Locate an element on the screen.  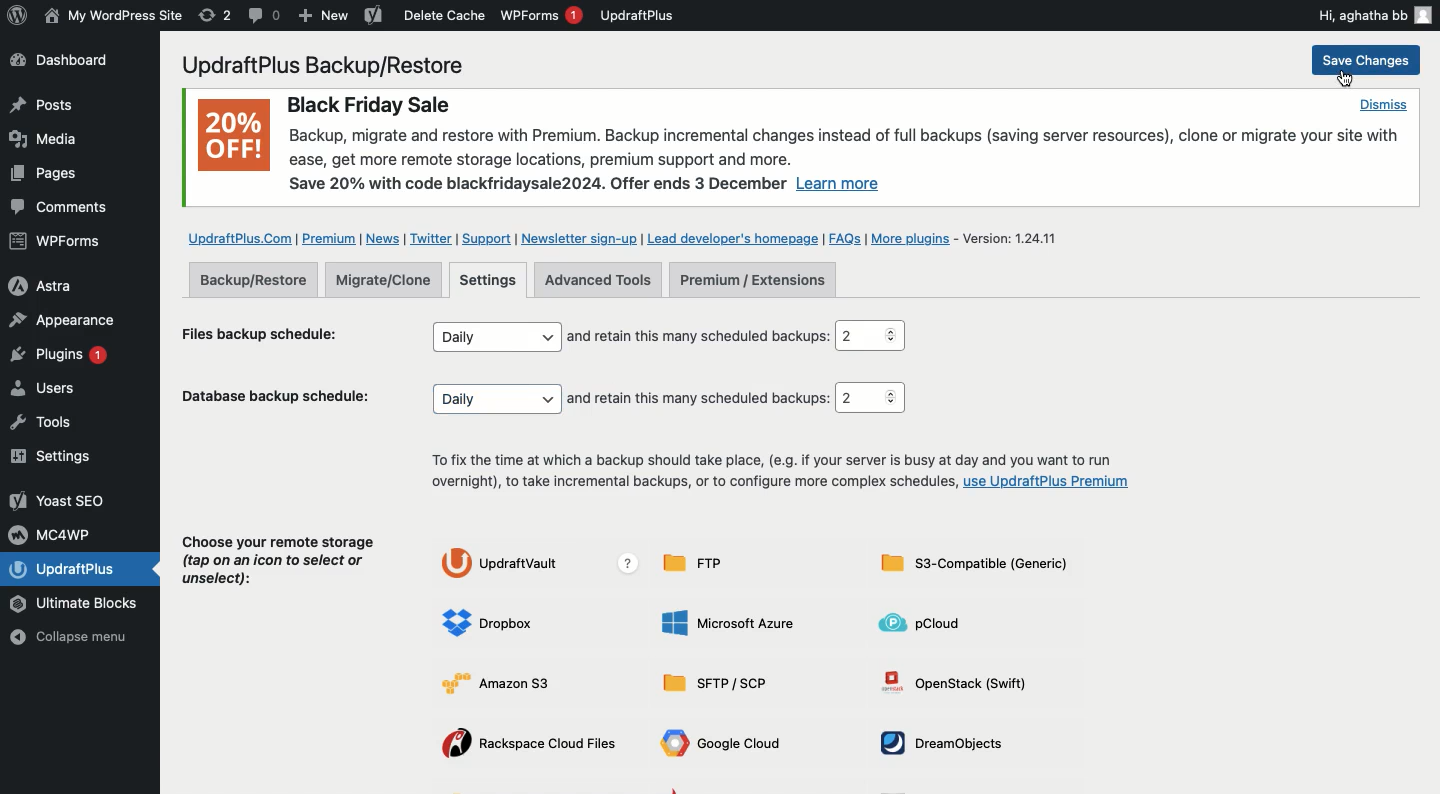
UpdraftVault is located at coordinates (544, 564).